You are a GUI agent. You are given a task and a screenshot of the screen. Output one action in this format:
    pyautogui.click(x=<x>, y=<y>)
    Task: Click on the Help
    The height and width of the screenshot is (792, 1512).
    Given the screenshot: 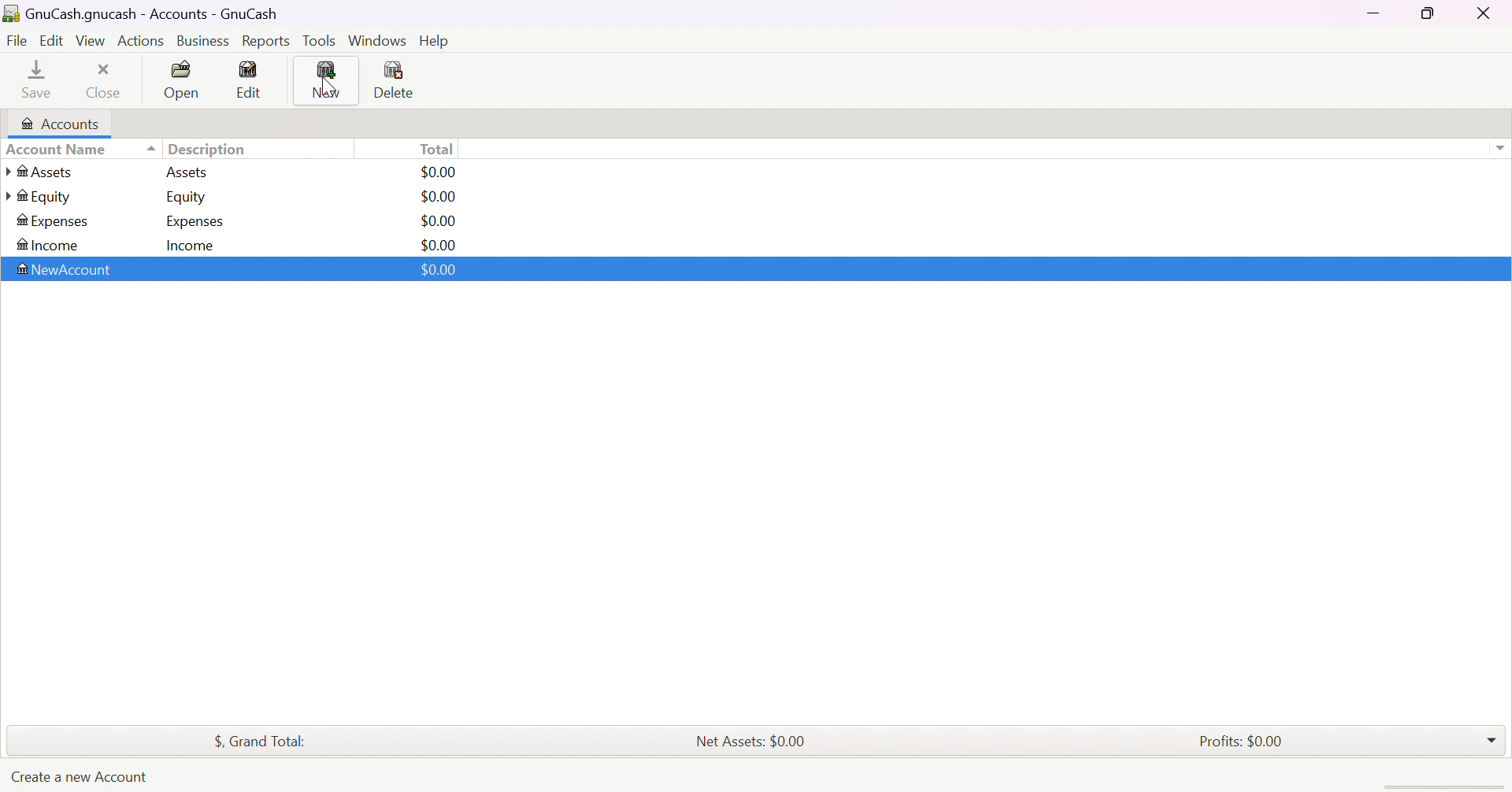 What is the action you would take?
    pyautogui.click(x=436, y=42)
    